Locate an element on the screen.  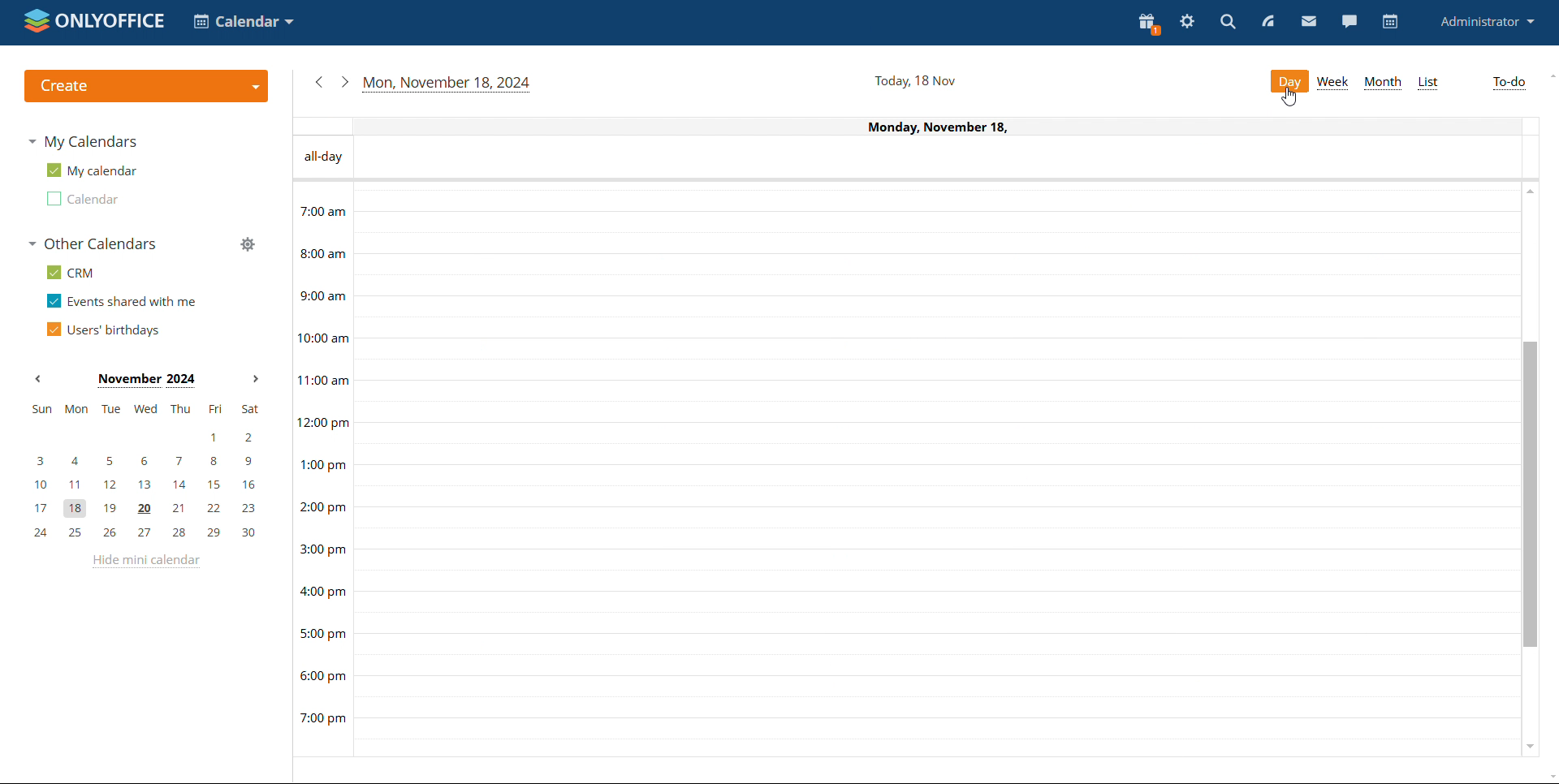
mini calendar is located at coordinates (145, 472).